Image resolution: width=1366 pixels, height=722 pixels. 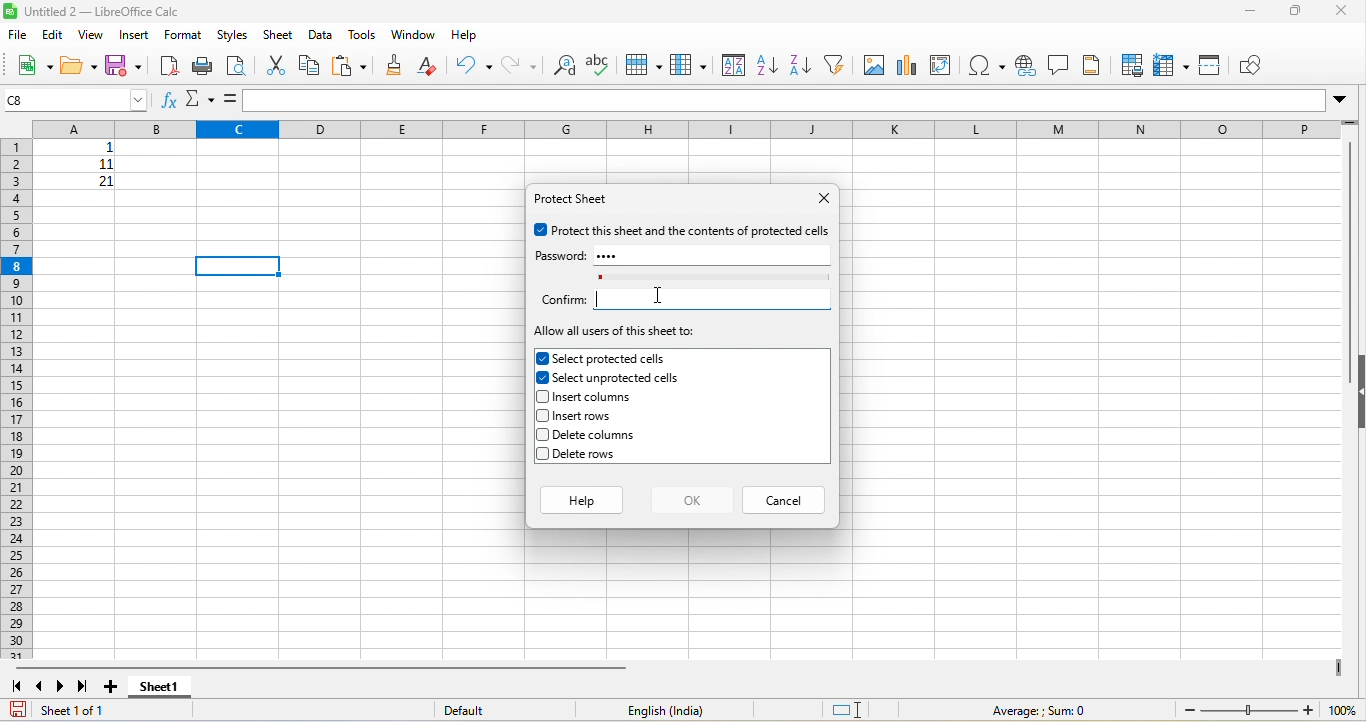 I want to click on maximize, so click(x=1297, y=13).